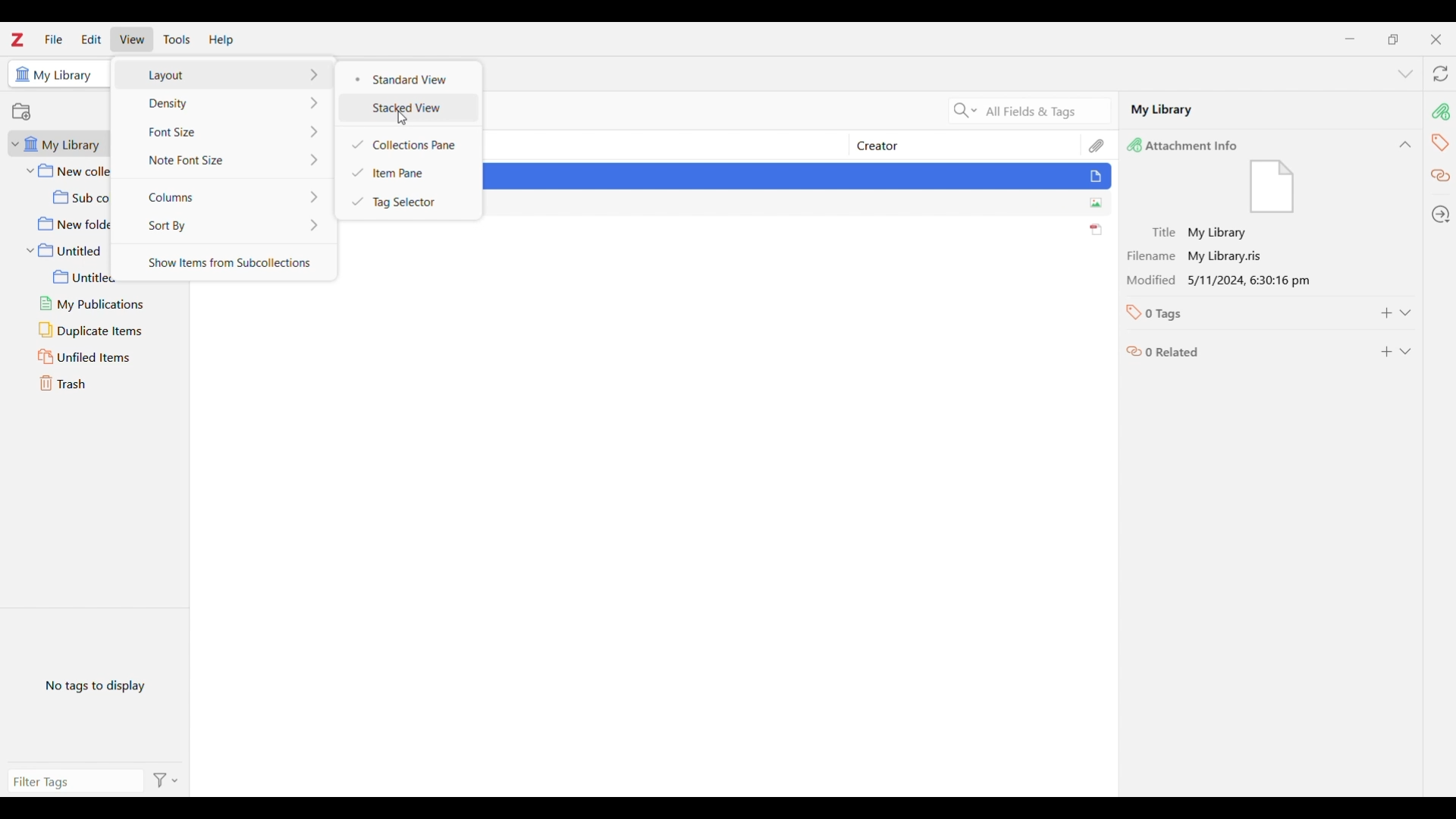 The width and height of the screenshot is (1456, 819). Describe the element at coordinates (67, 196) in the screenshot. I see `Sub collection folder under New collection folder` at that location.